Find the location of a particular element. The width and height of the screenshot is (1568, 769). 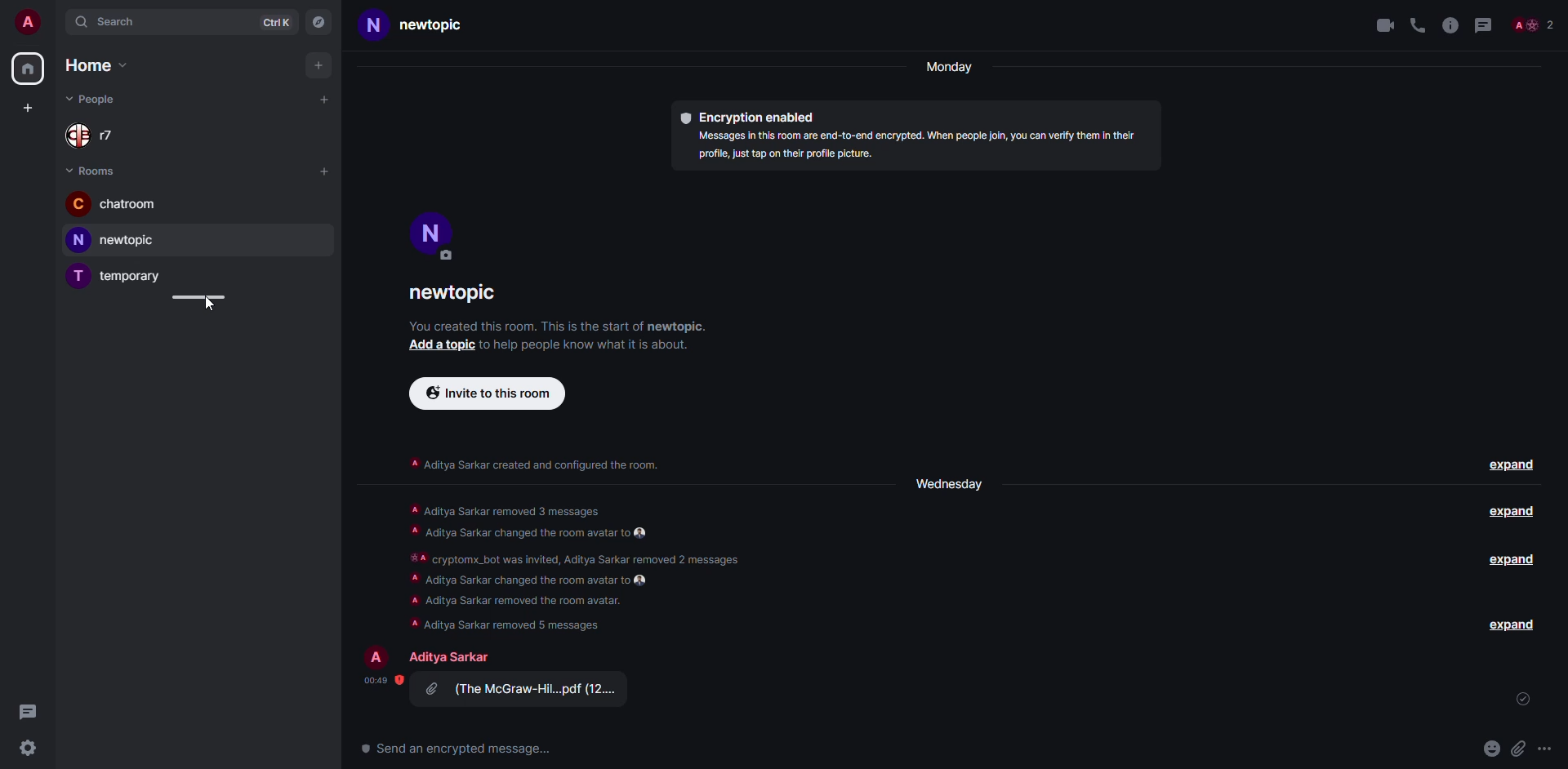

expand is located at coordinates (1512, 560).